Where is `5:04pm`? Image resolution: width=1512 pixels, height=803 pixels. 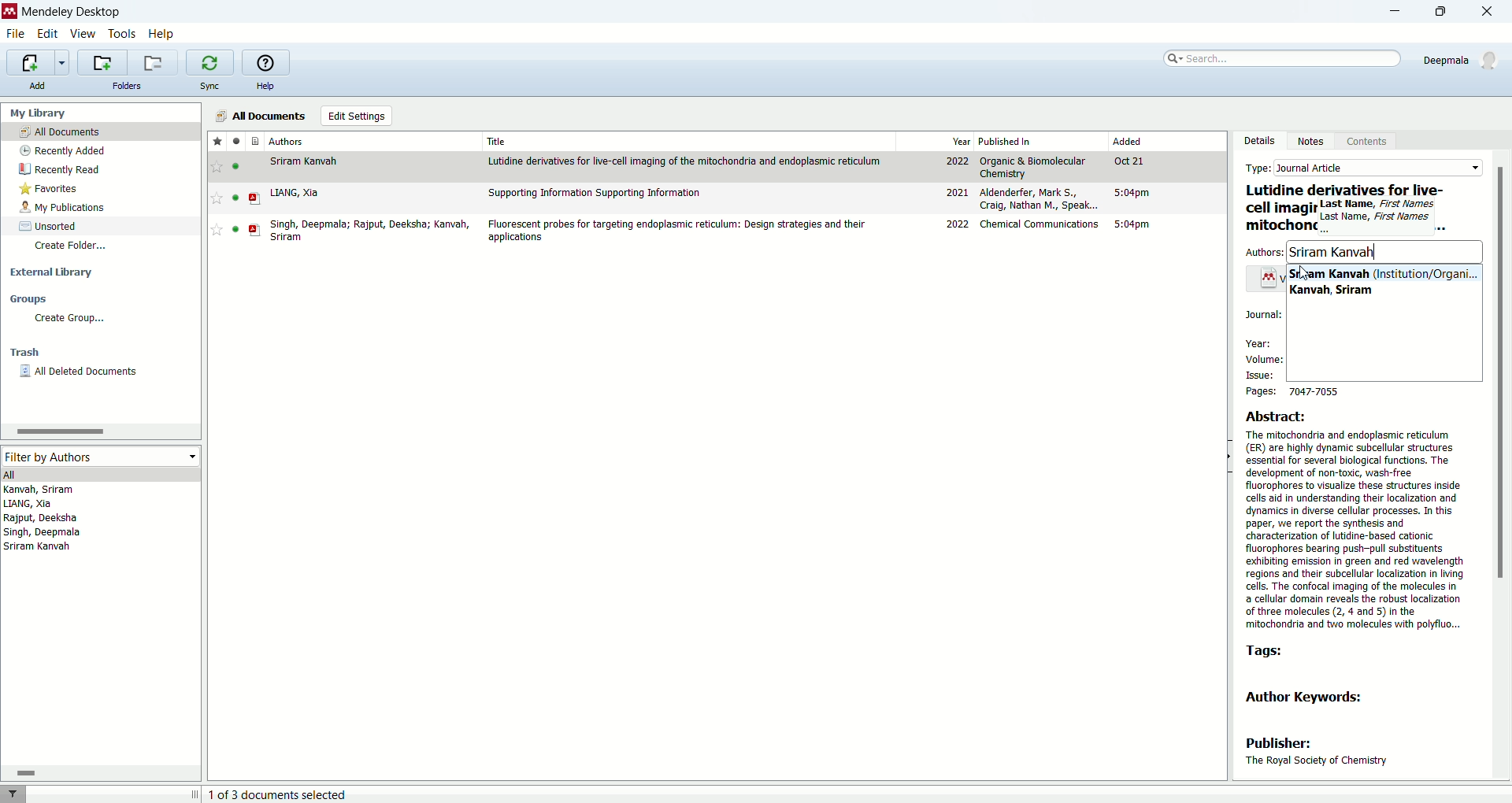
5:04pm is located at coordinates (1135, 194).